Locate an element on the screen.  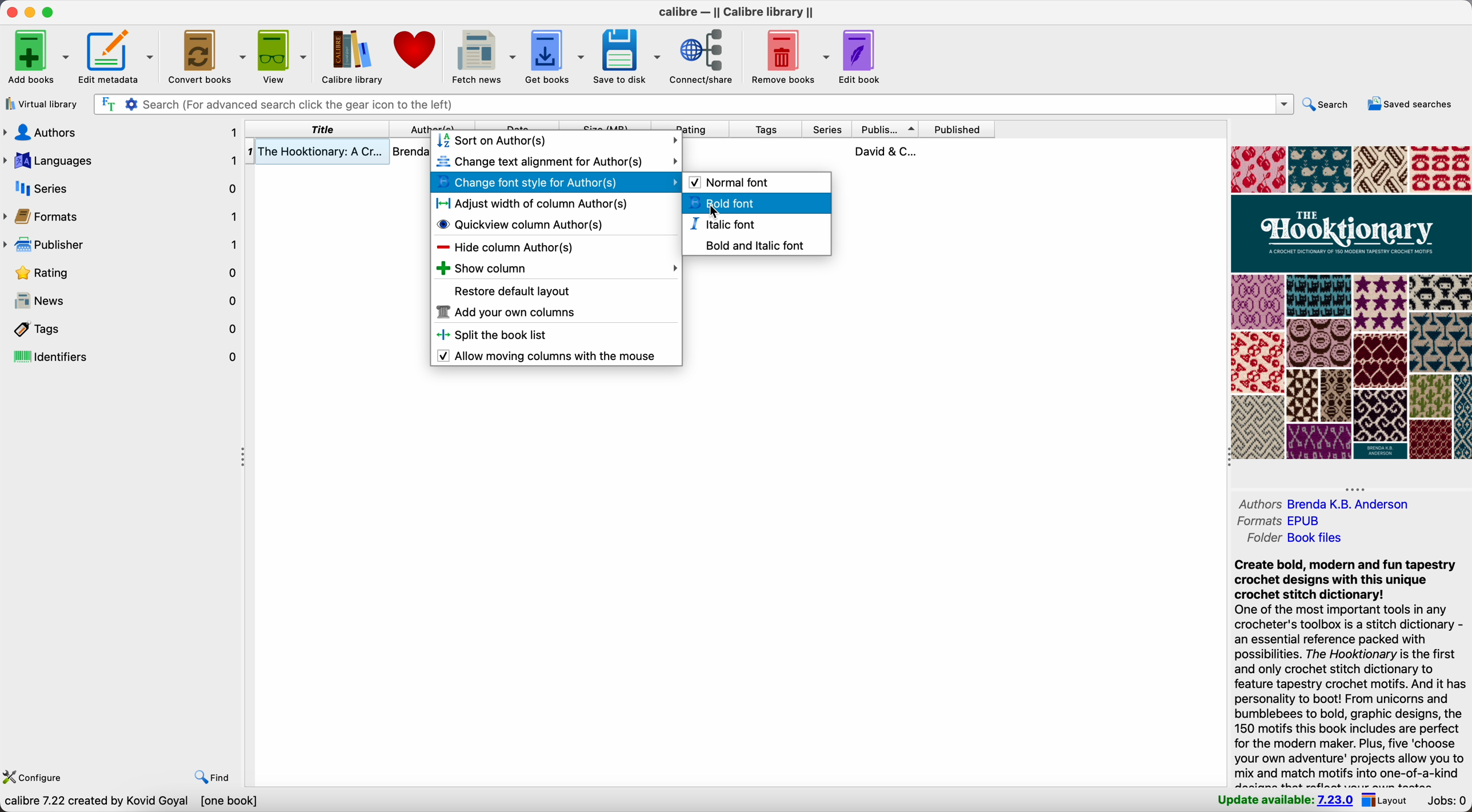
tags is located at coordinates (766, 130).